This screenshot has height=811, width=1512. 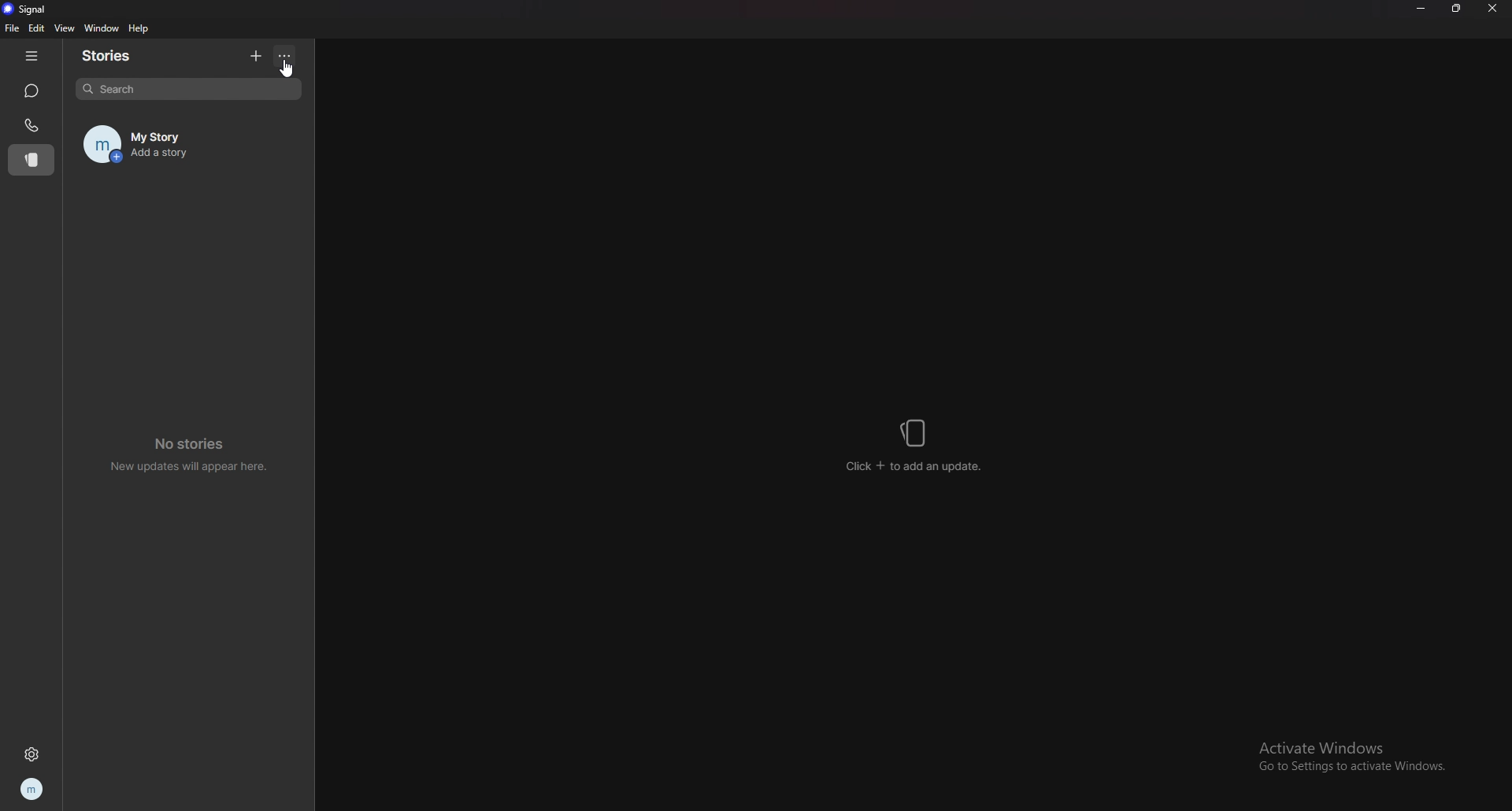 What do you see at coordinates (12, 28) in the screenshot?
I see `file` at bounding box center [12, 28].